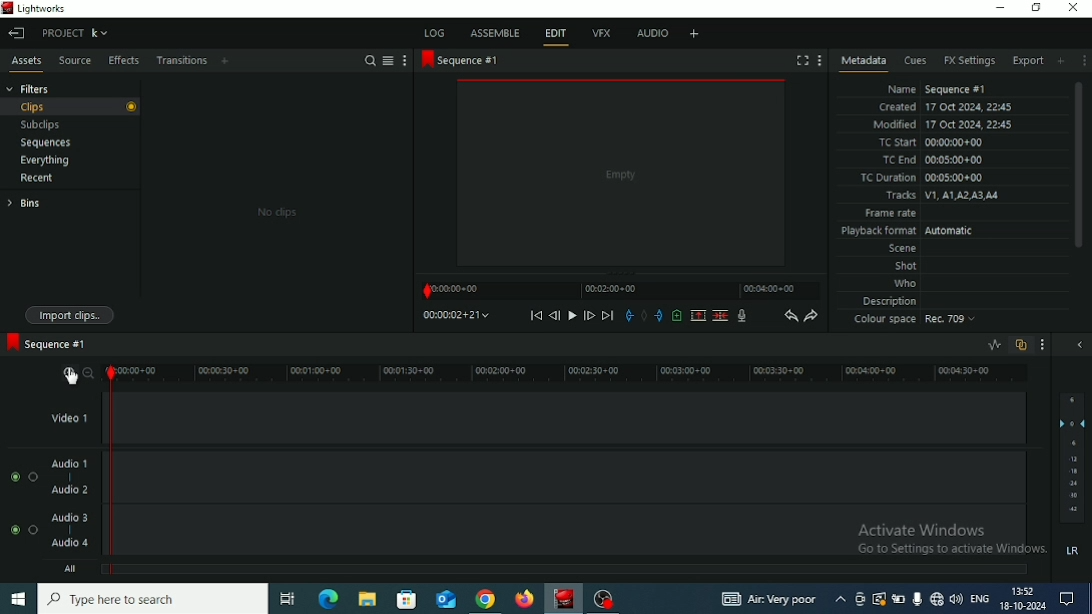 This screenshot has height=614, width=1092. What do you see at coordinates (404, 61) in the screenshot?
I see `Show settings menu` at bounding box center [404, 61].